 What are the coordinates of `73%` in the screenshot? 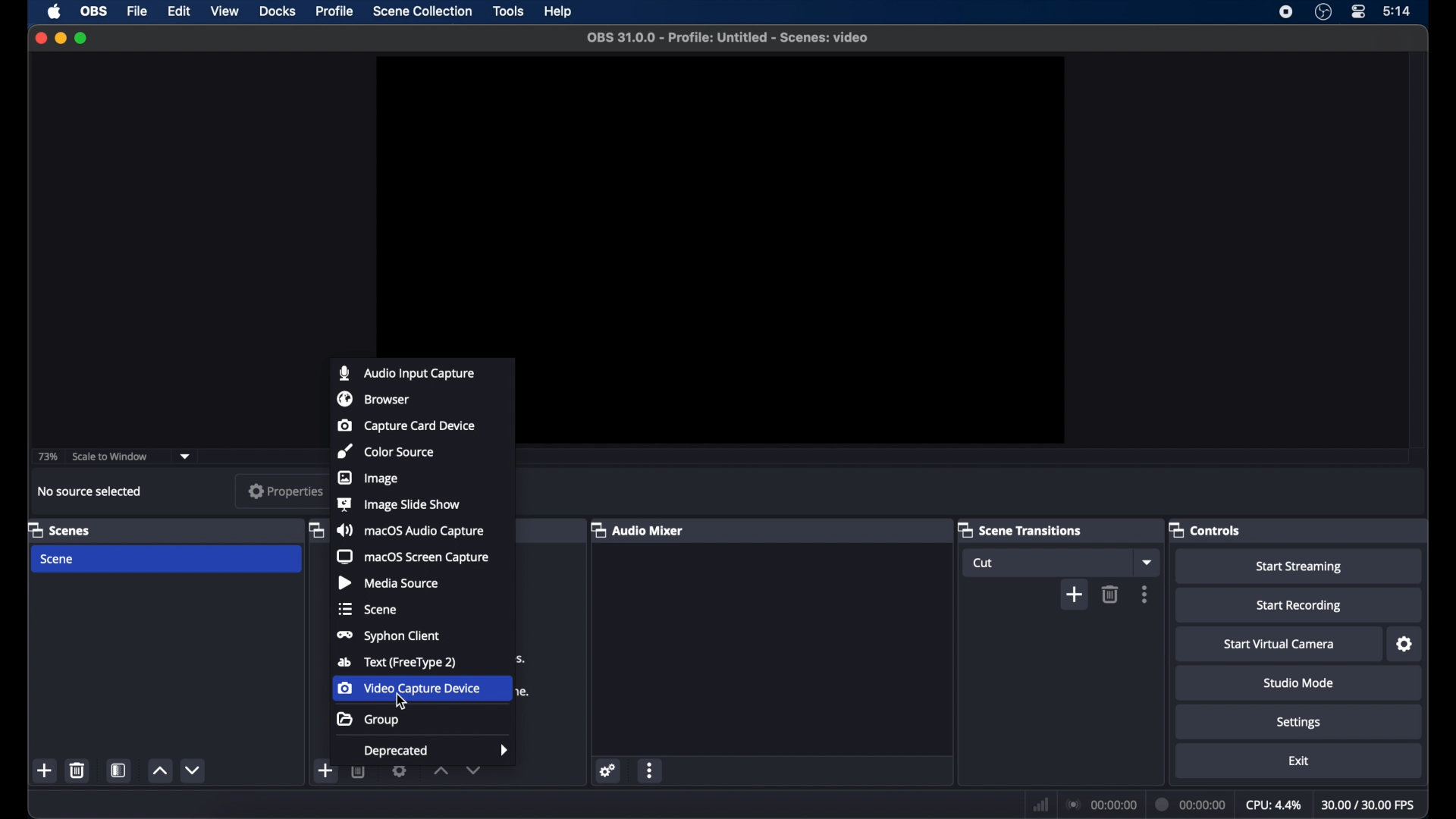 It's located at (46, 457).